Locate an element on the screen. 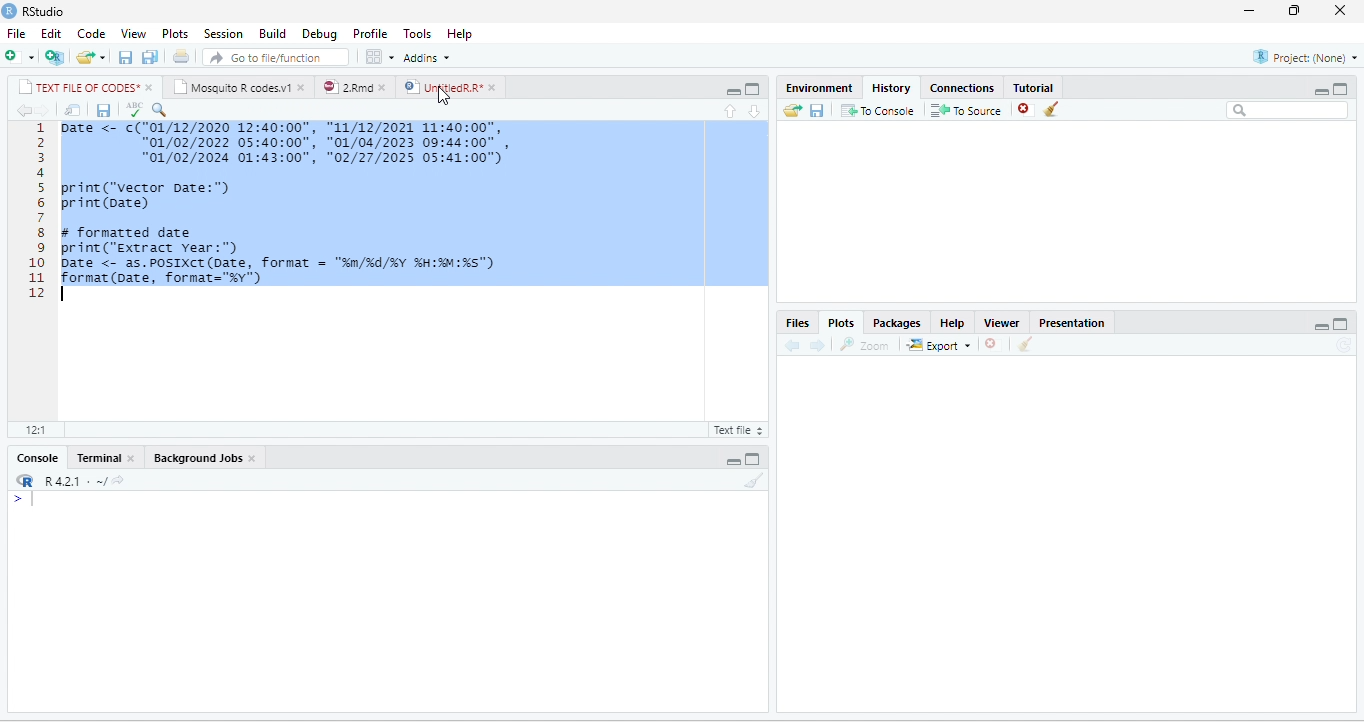 The height and width of the screenshot is (722, 1364). close is located at coordinates (132, 457).